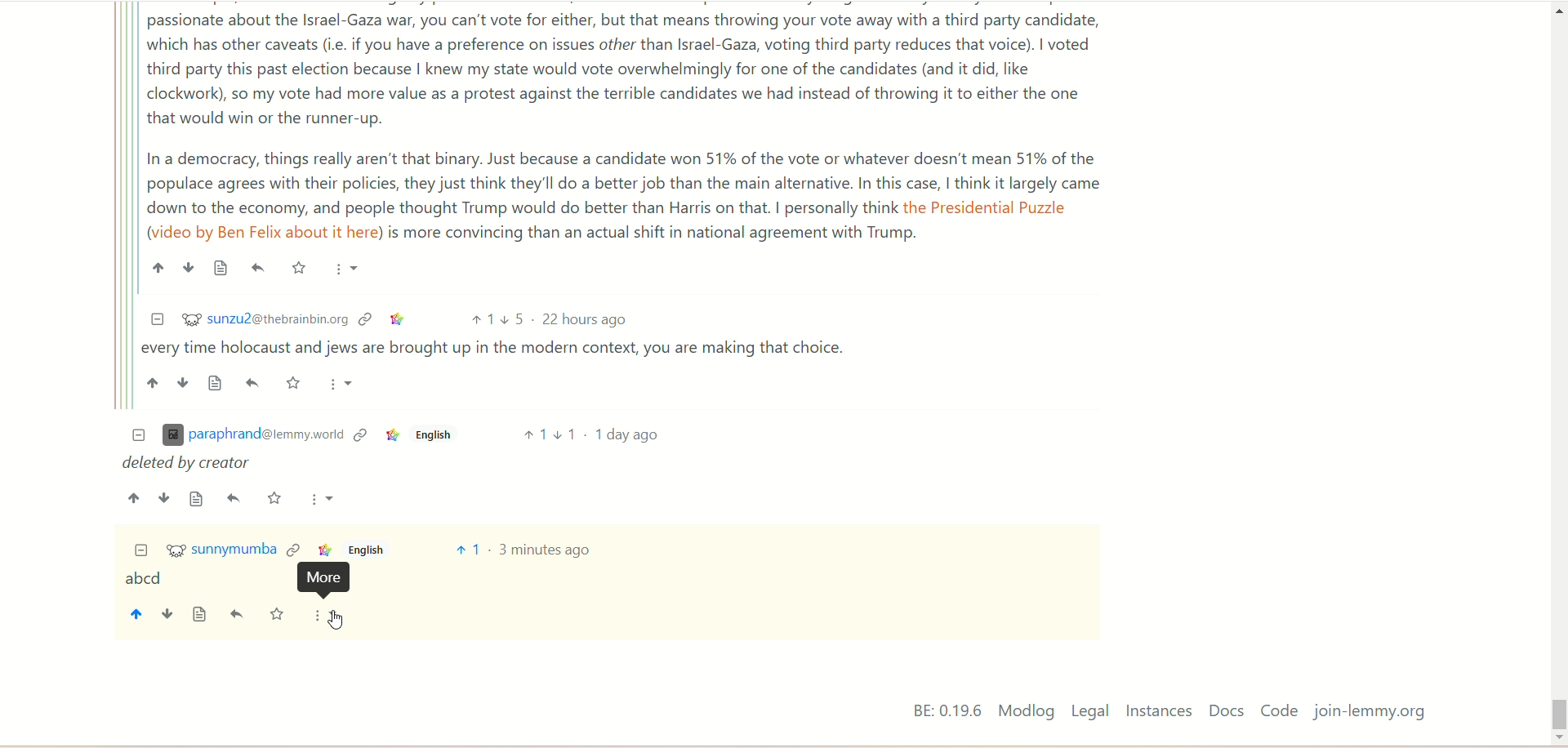 The image size is (1568, 748). What do you see at coordinates (259, 268) in the screenshot?
I see `Reply` at bounding box center [259, 268].